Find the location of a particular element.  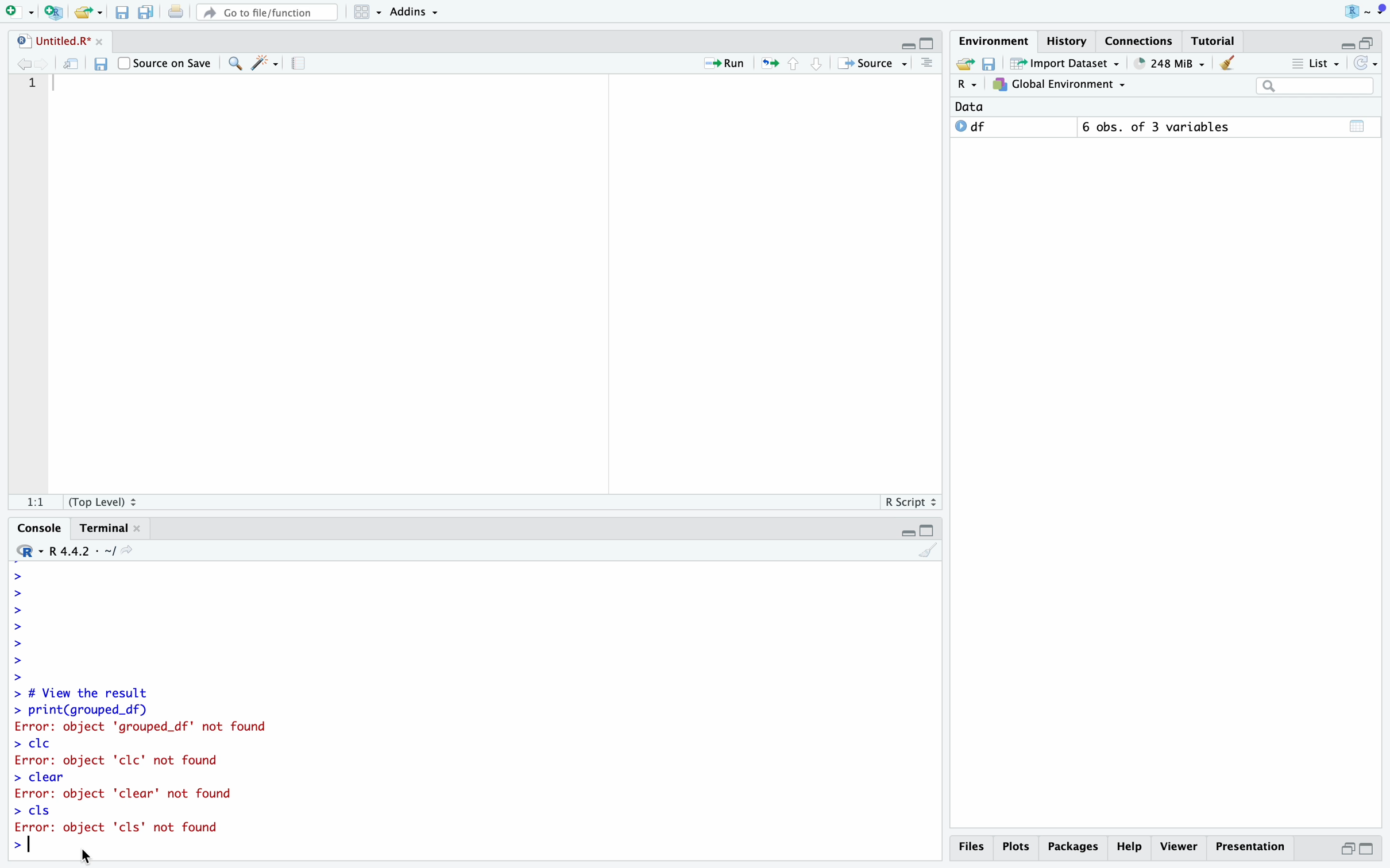

Save is located at coordinates (102, 64).